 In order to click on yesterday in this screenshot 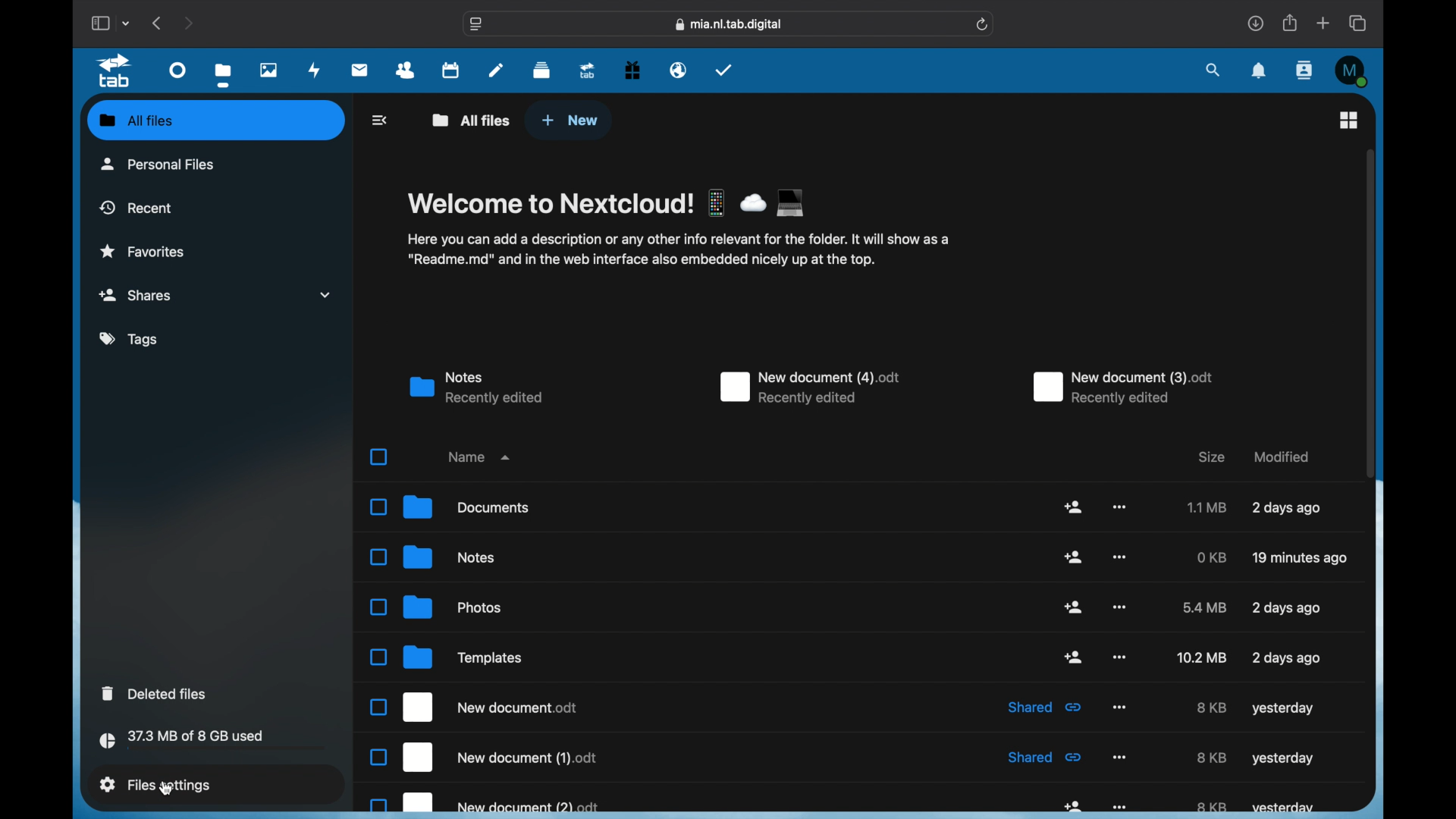, I will do `click(1282, 708)`.